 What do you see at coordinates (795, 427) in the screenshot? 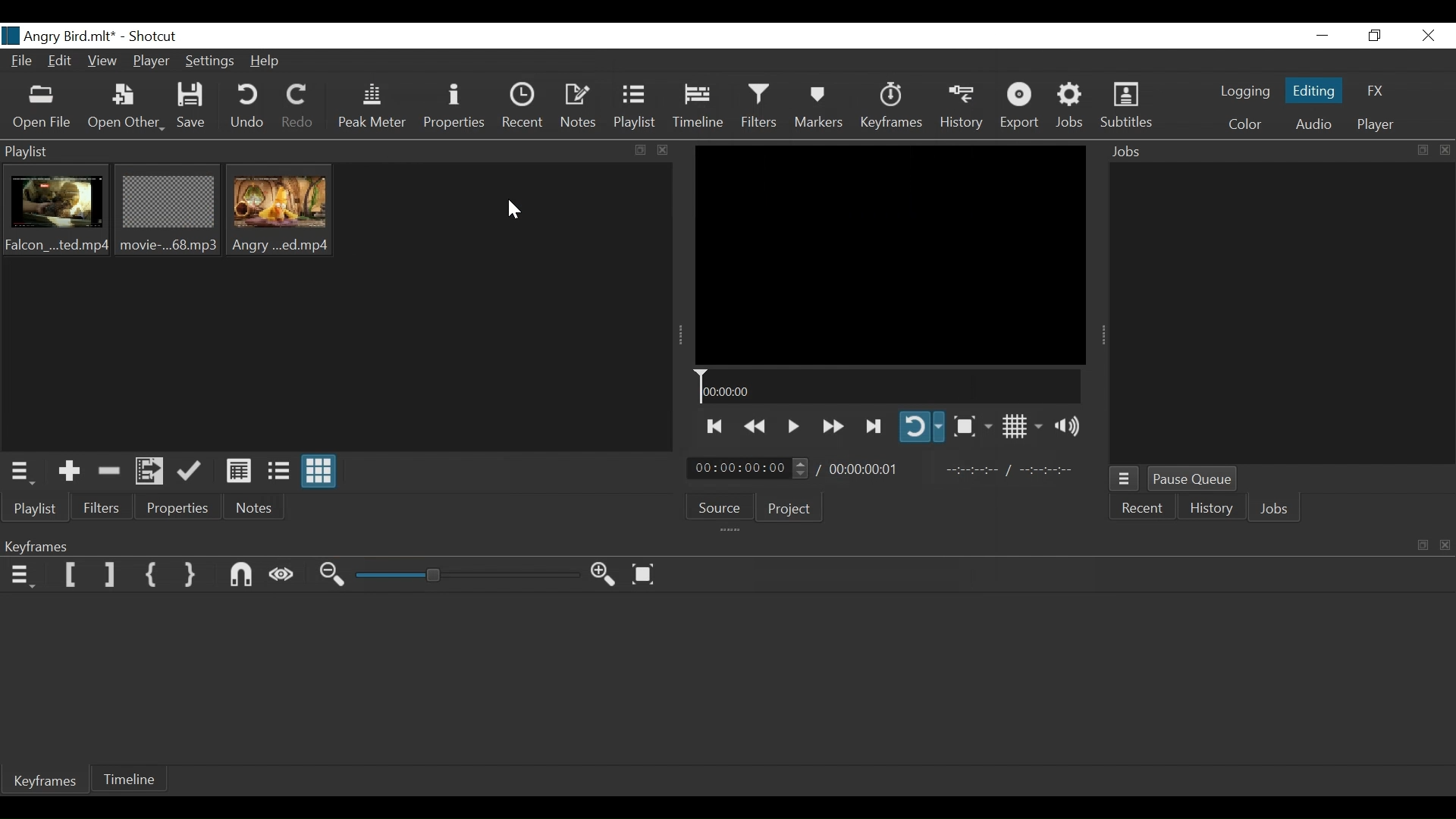
I see `Toggle play or pause` at bounding box center [795, 427].